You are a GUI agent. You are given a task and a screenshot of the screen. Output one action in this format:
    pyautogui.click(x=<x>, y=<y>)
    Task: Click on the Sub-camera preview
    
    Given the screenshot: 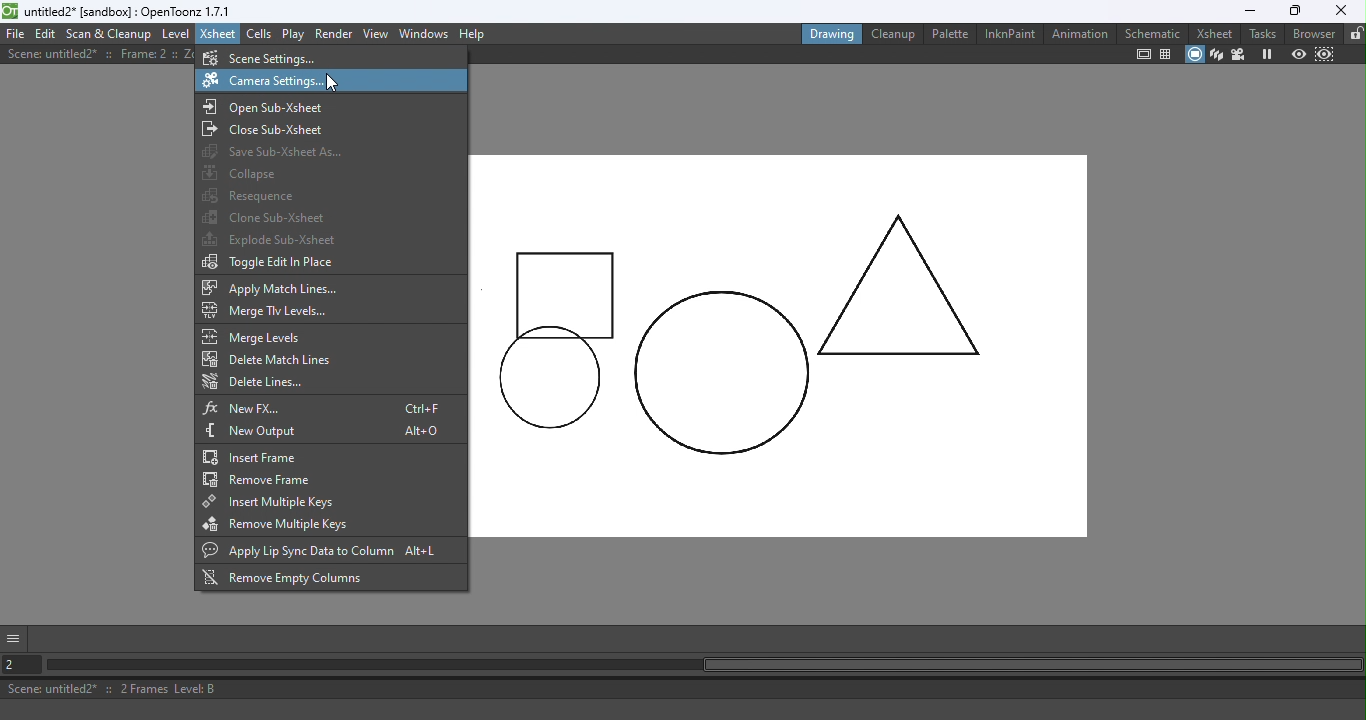 What is the action you would take?
    pyautogui.click(x=1323, y=55)
    